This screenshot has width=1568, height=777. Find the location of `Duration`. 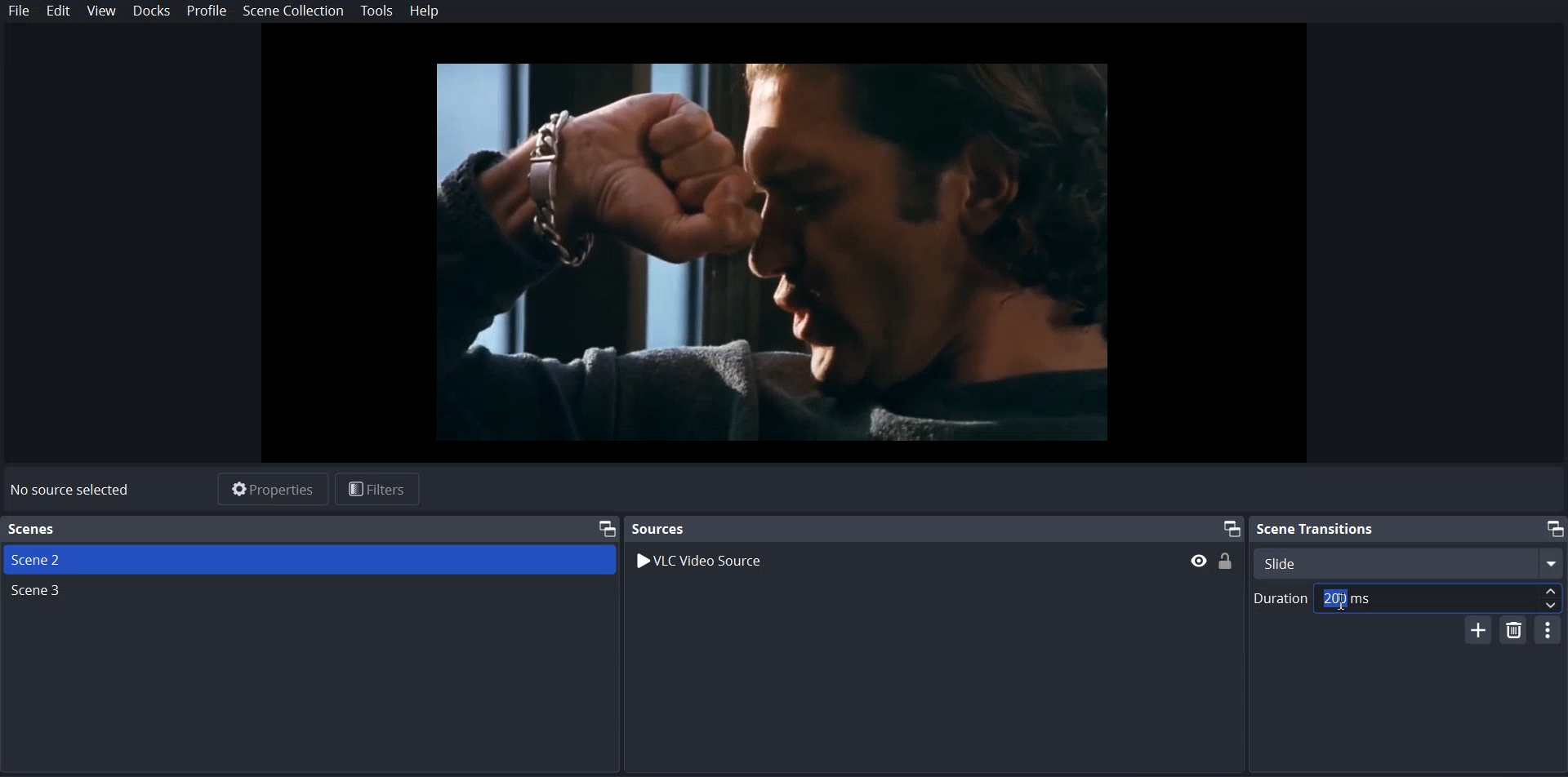

Duration is located at coordinates (1407, 598).